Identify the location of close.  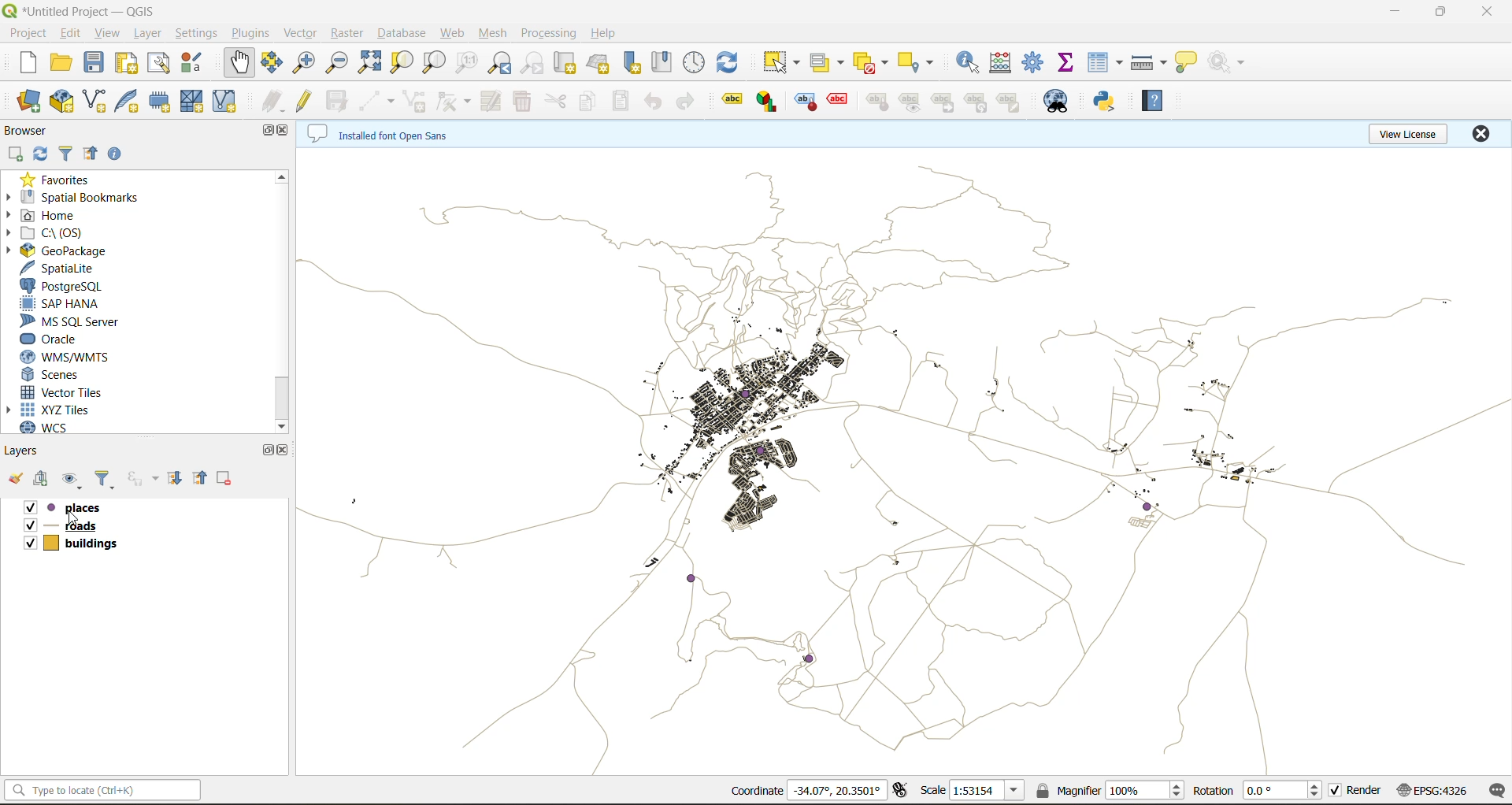
(1478, 135).